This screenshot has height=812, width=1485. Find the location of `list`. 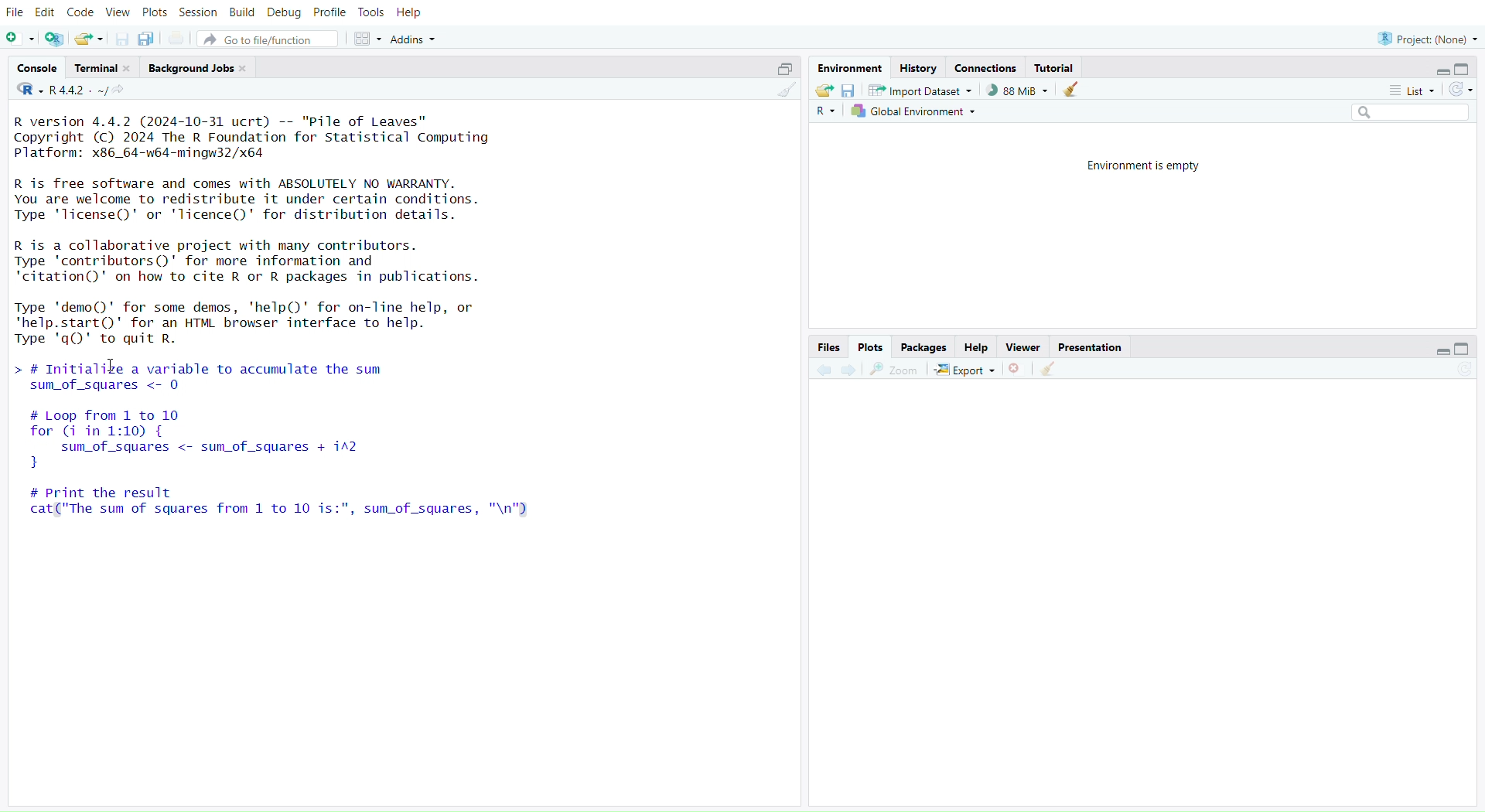

list is located at coordinates (1412, 91).